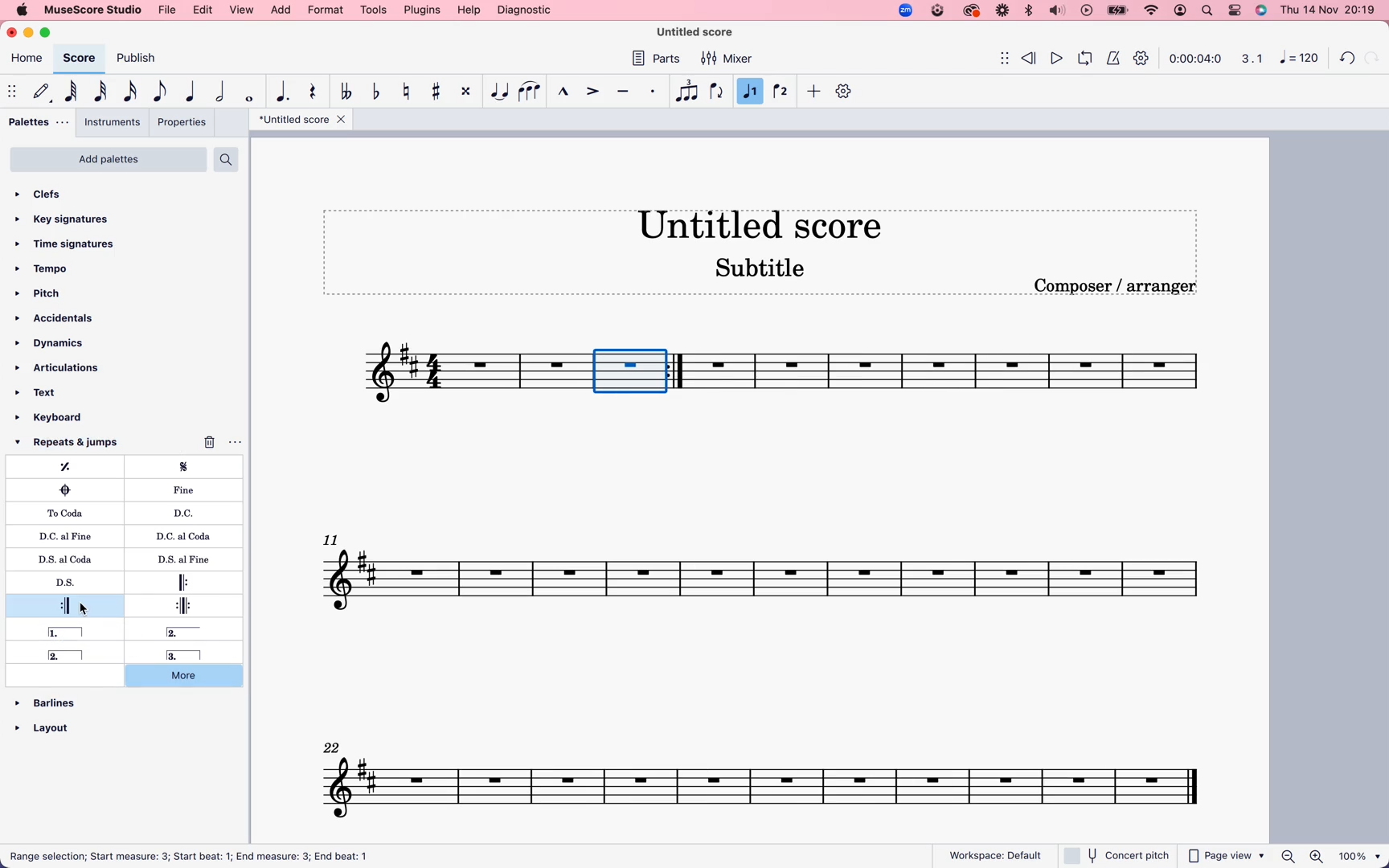 This screenshot has width=1389, height=868. What do you see at coordinates (68, 513) in the screenshot?
I see `to coda` at bounding box center [68, 513].